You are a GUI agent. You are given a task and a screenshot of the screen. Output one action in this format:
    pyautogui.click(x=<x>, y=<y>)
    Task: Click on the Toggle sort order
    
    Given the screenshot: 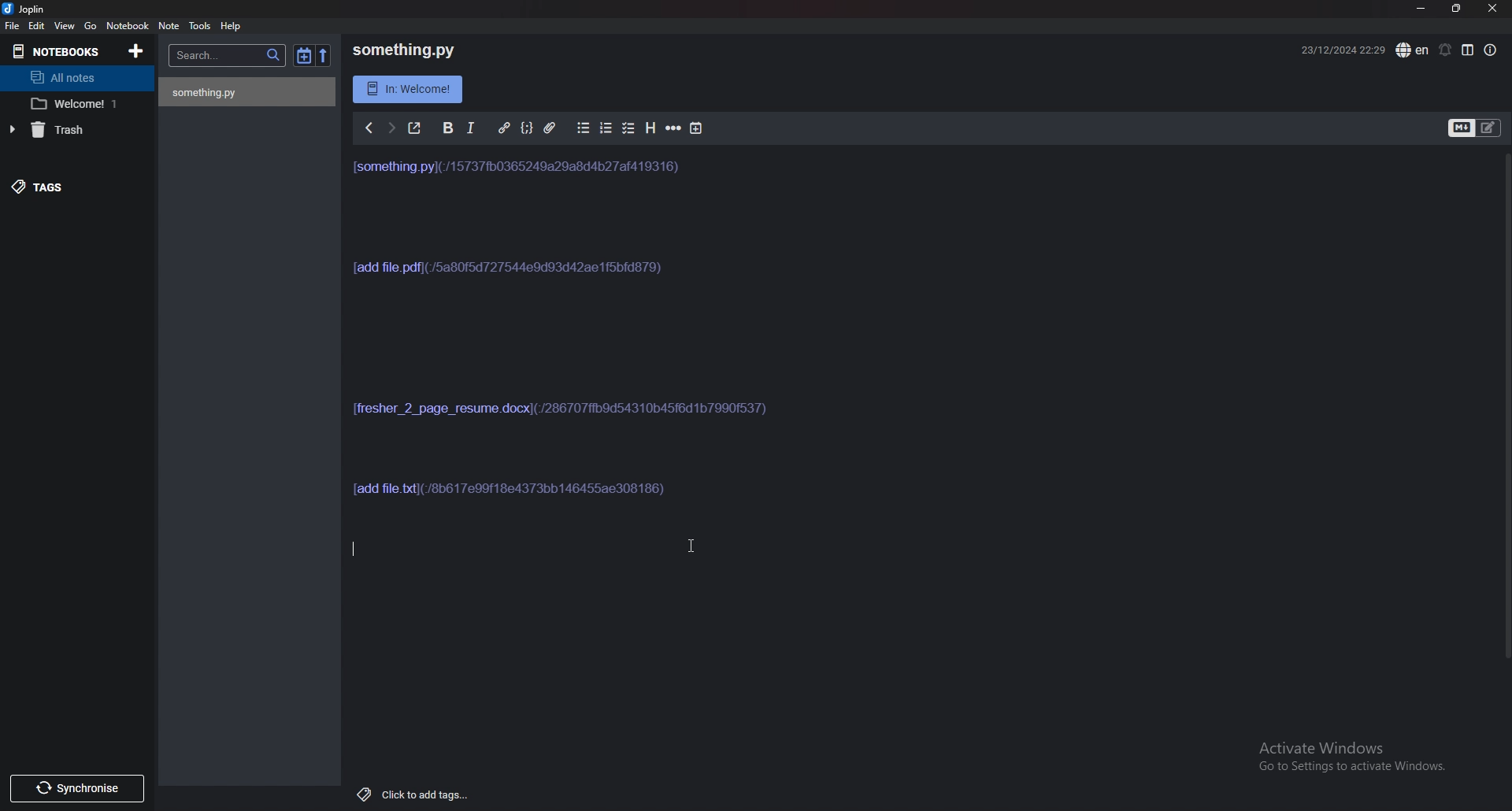 What is the action you would take?
    pyautogui.click(x=302, y=56)
    